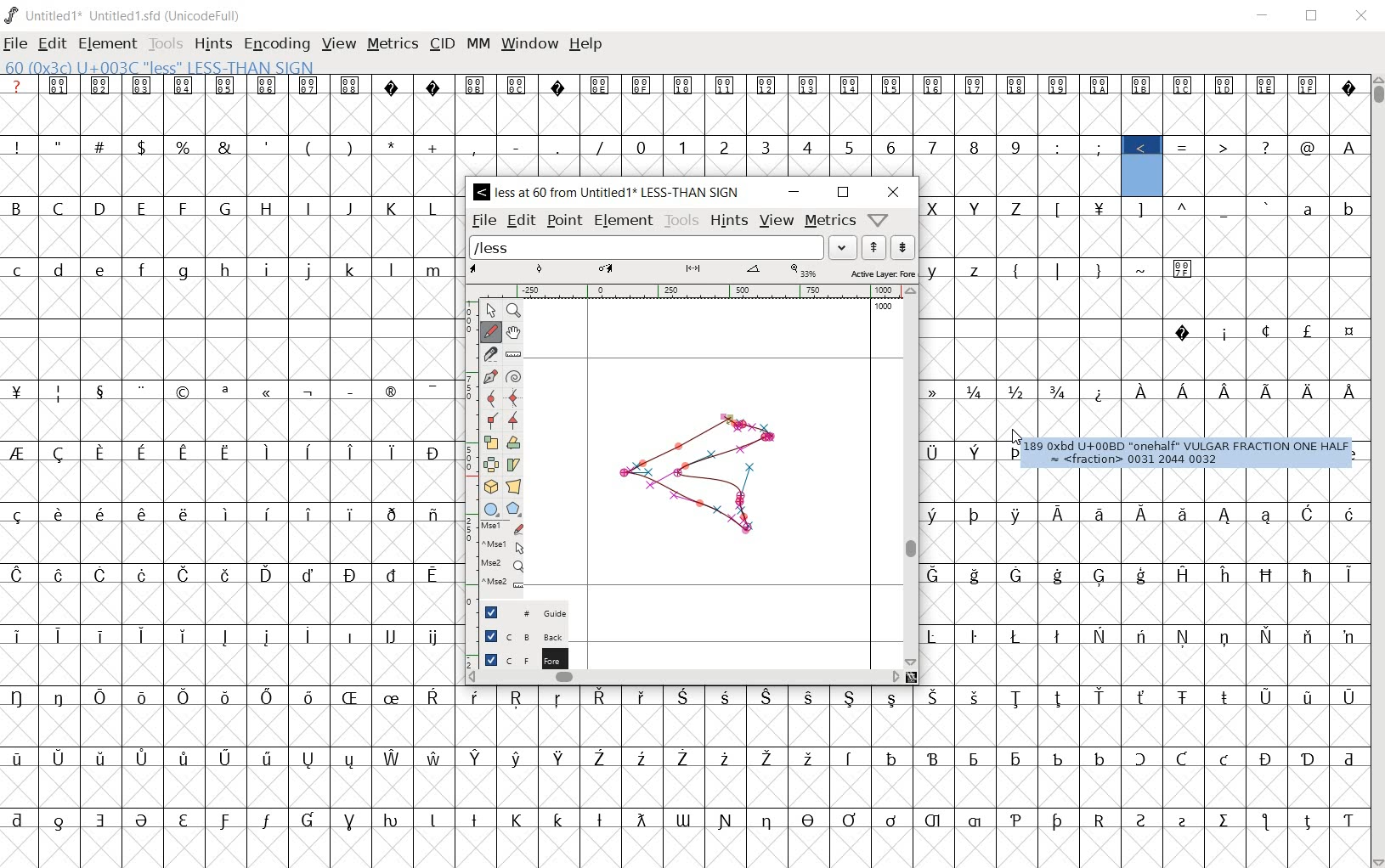 Image resolution: width=1385 pixels, height=868 pixels. I want to click on encoding, so click(274, 42).